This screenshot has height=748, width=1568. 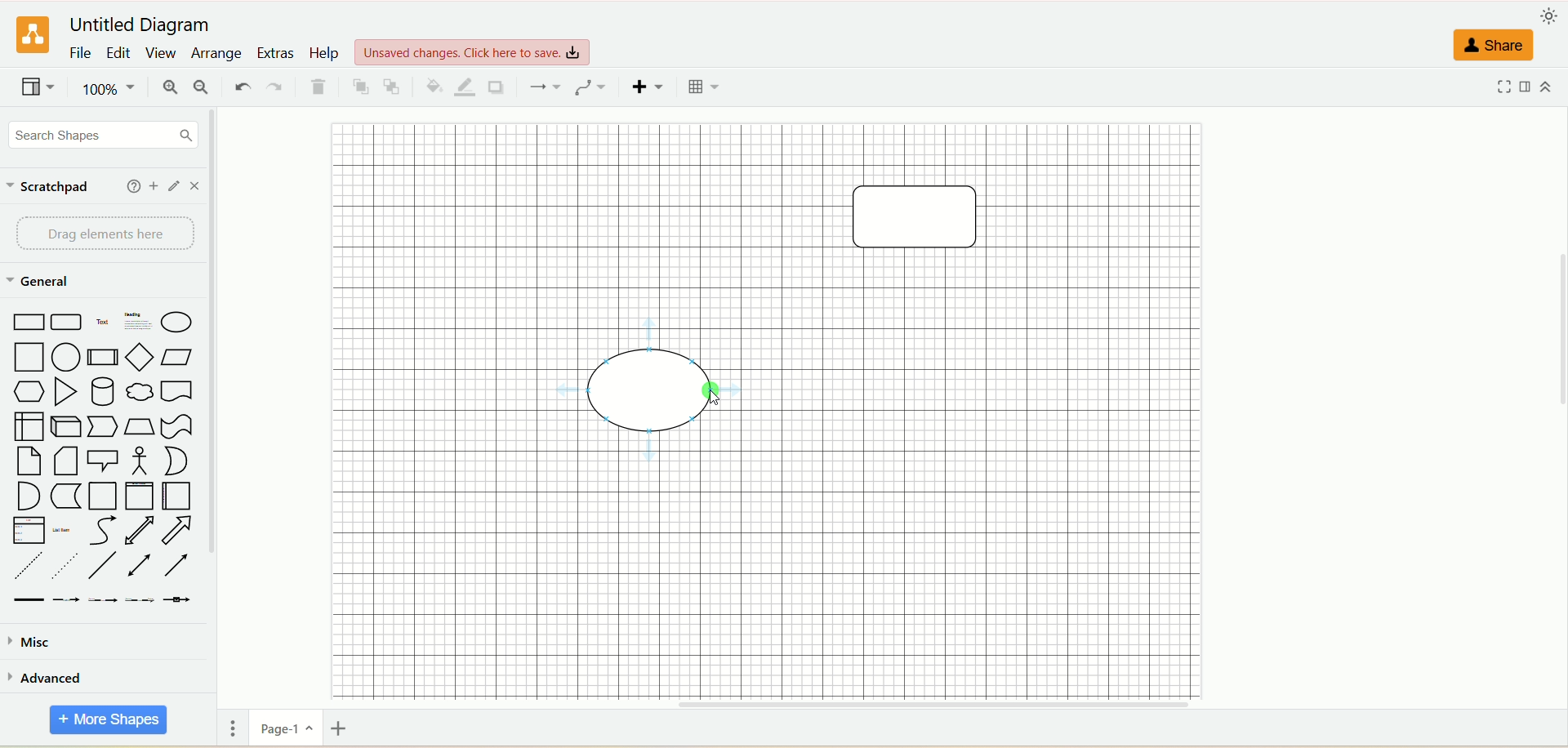 What do you see at coordinates (1494, 44) in the screenshot?
I see `share` at bounding box center [1494, 44].